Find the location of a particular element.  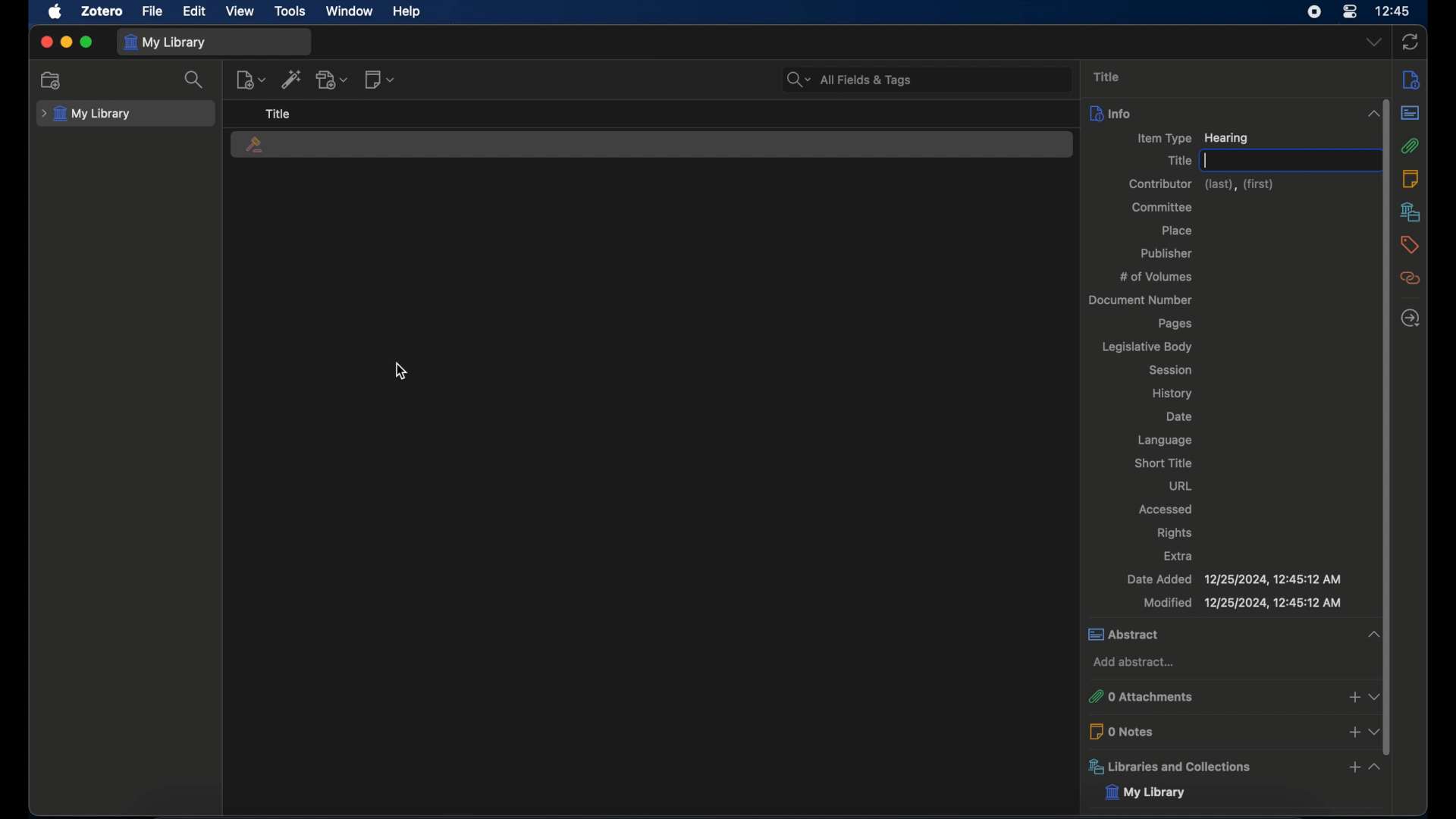

rights is located at coordinates (1174, 532).